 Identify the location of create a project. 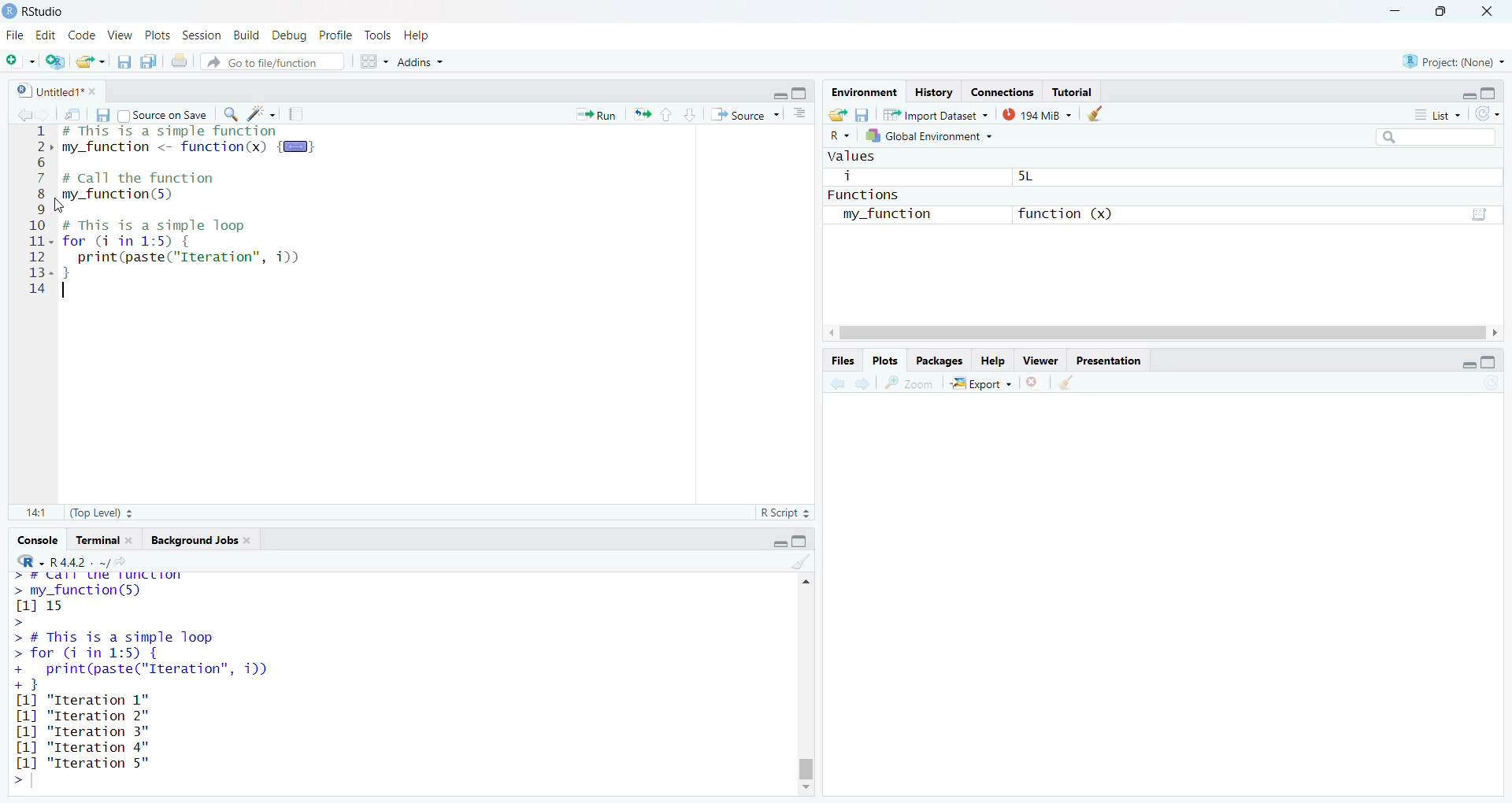
(55, 59).